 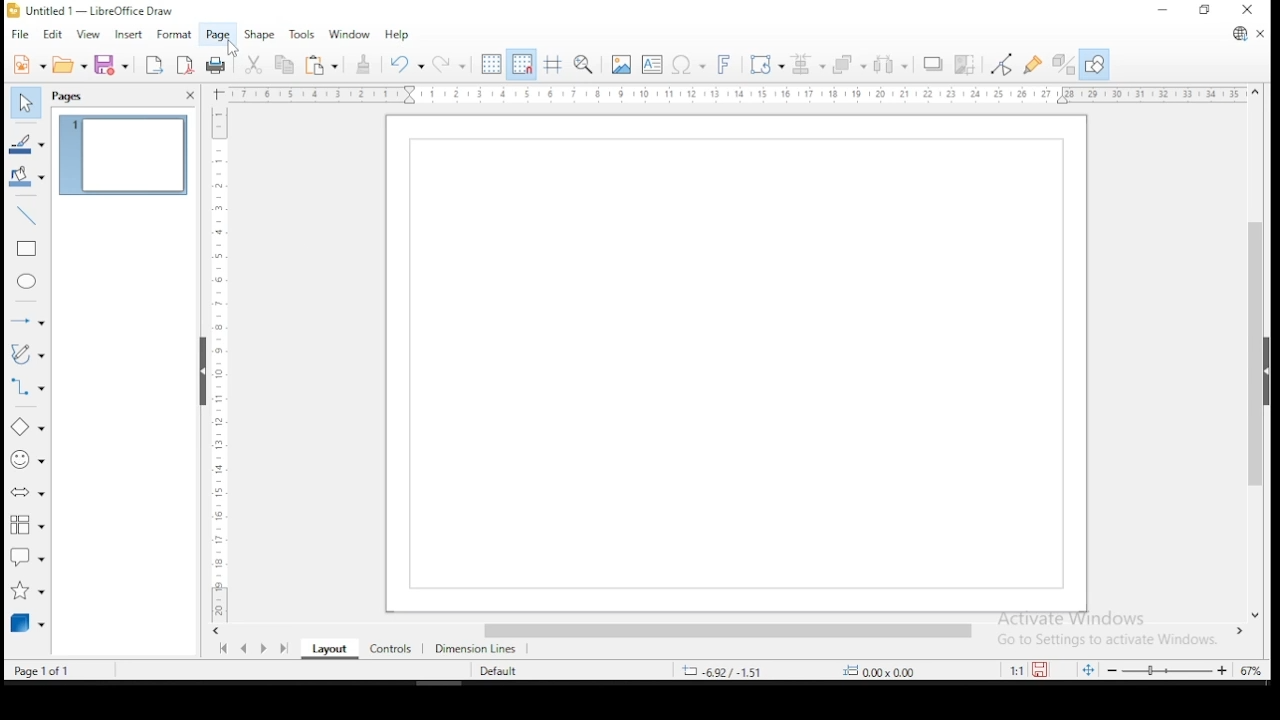 I want to click on save, so click(x=114, y=65).